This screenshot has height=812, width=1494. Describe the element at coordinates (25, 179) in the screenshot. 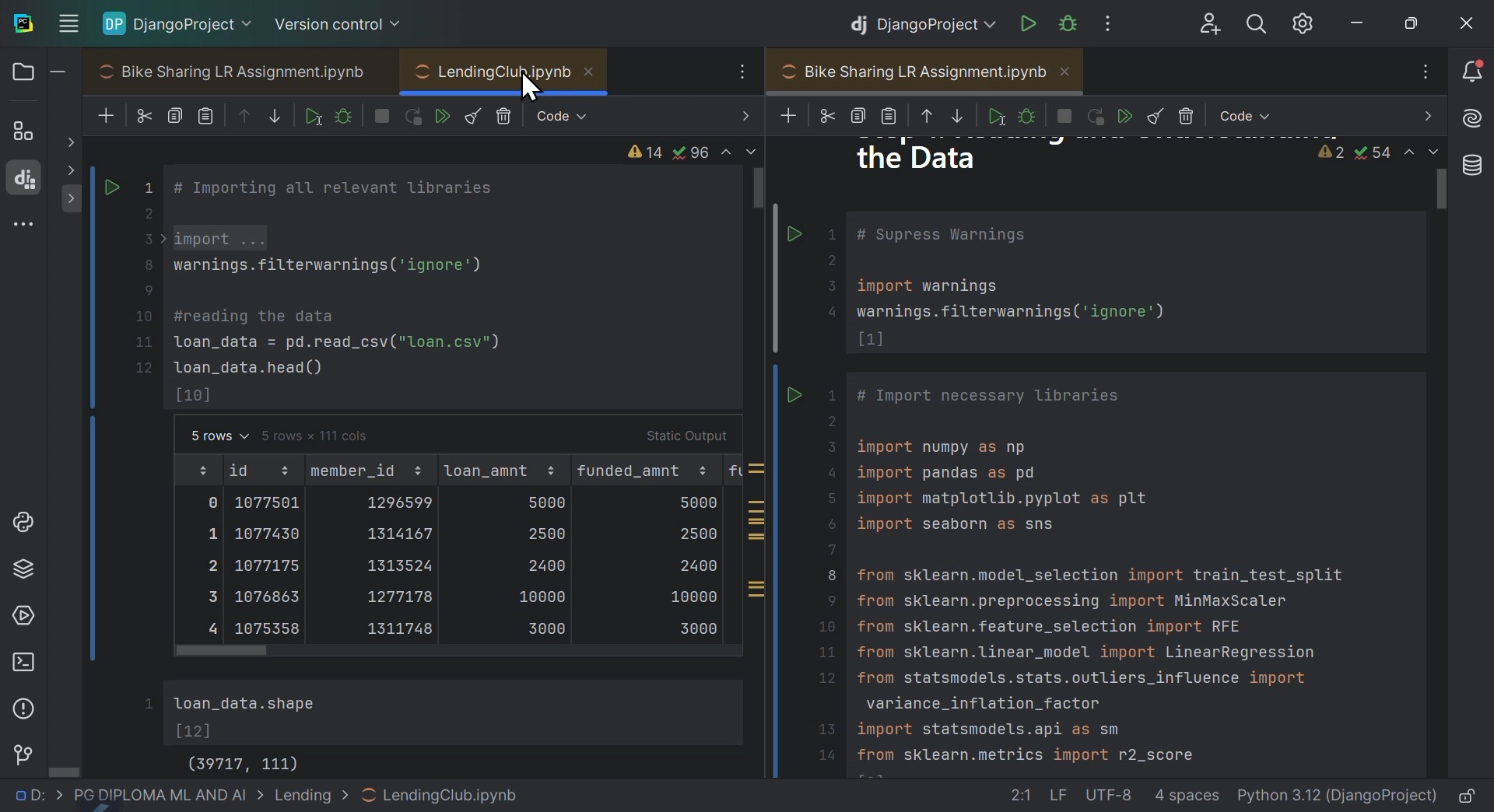

I see `Django structure` at that location.